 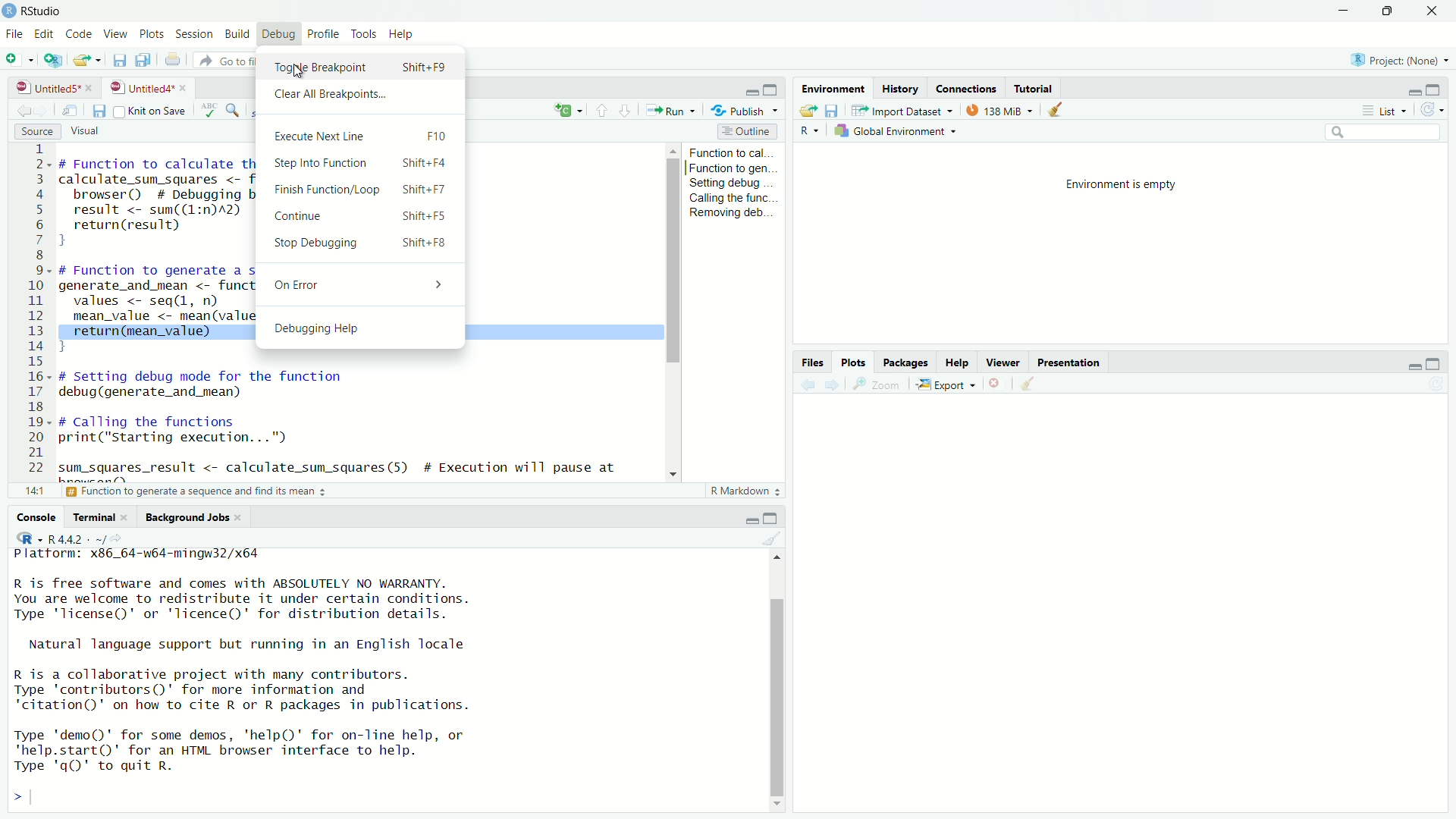 What do you see at coordinates (71, 110) in the screenshot?
I see `show in new window` at bounding box center [71, 110].